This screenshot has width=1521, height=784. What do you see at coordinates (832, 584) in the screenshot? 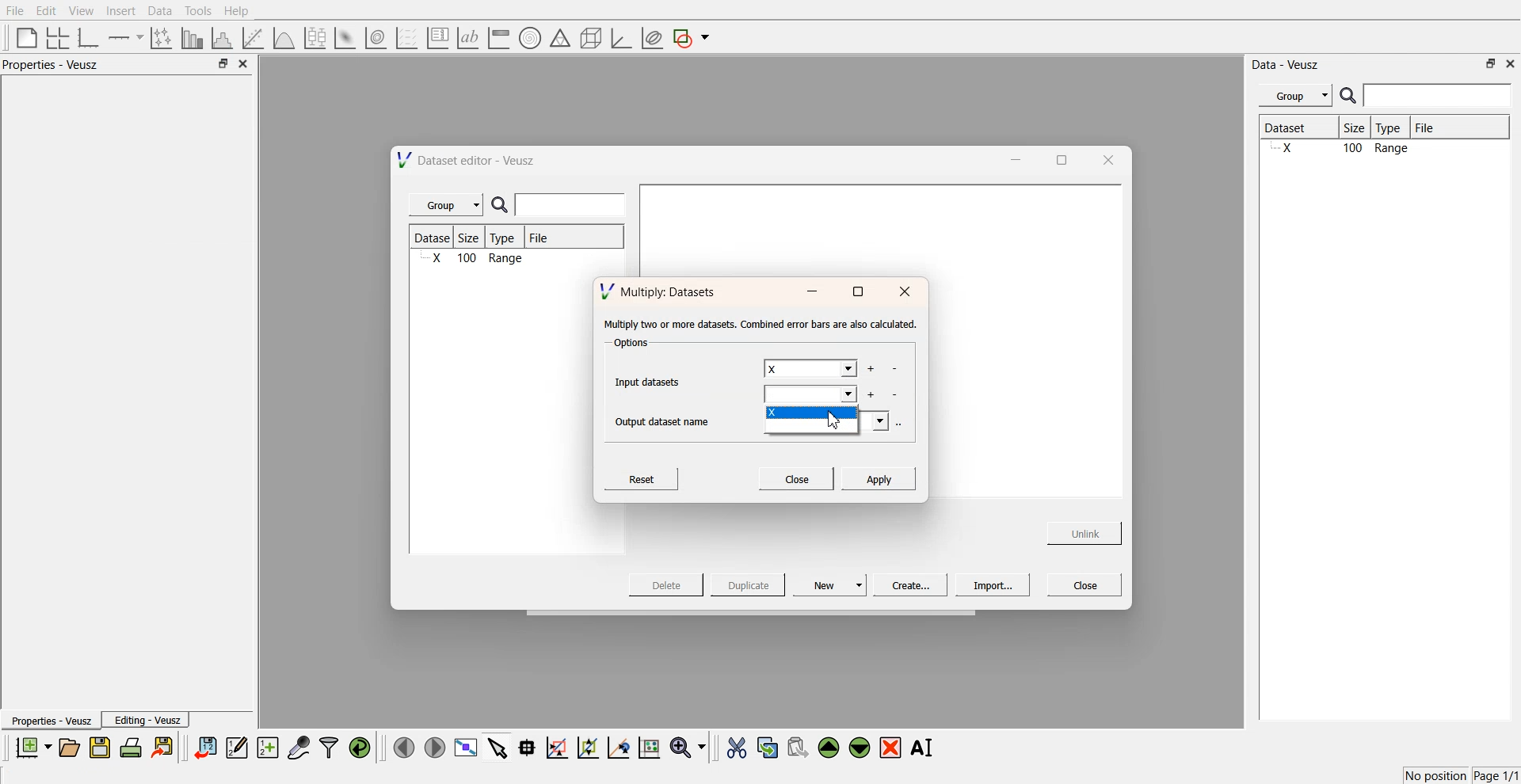
I see `New` at bounding box center [832, 584].